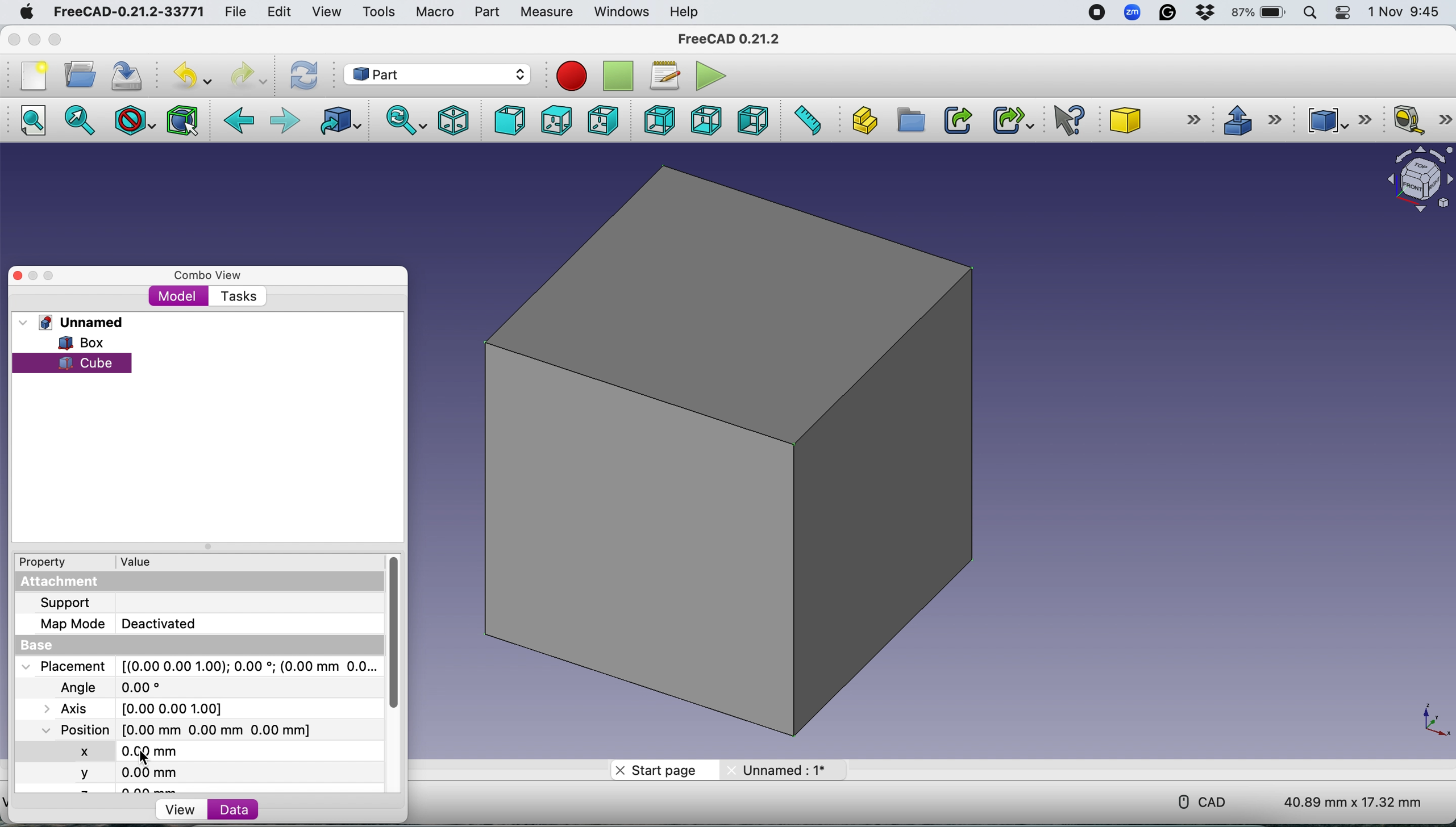  I want to click on Attachment, so click(63, 583).